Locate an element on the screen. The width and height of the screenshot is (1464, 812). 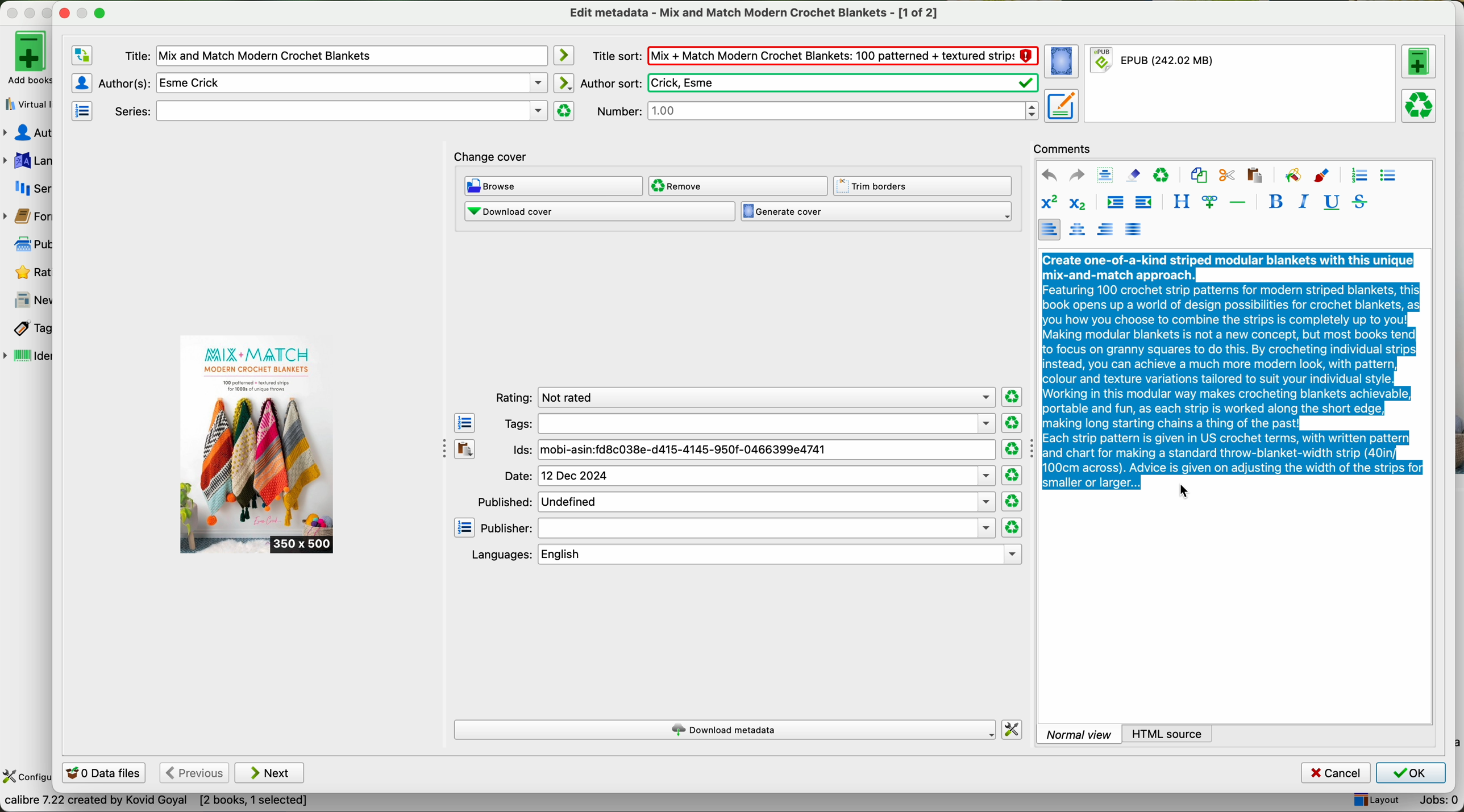
redo is located at coordinates (1076, 174).